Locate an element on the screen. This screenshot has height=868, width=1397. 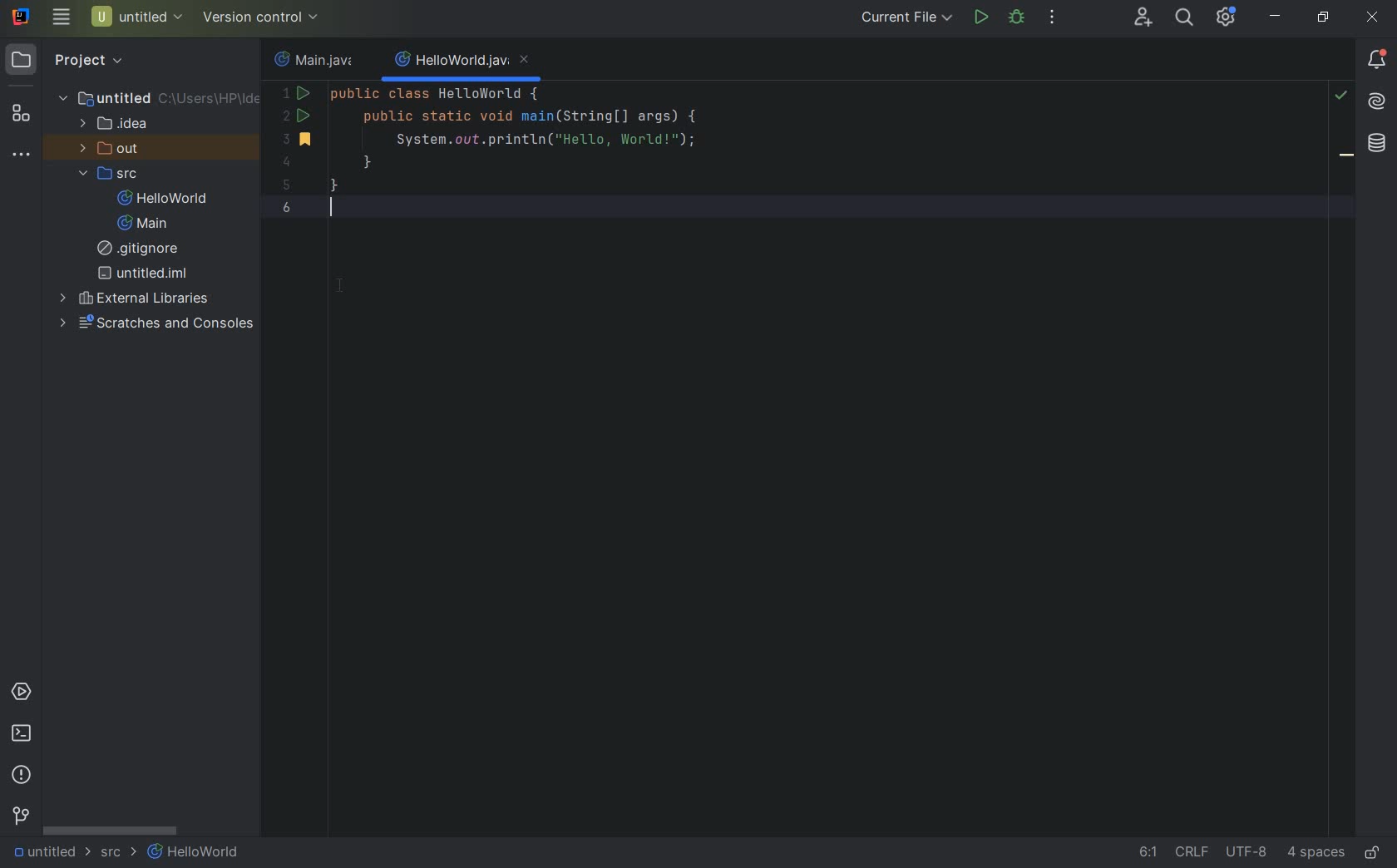
scratches and consoles is located at coordinates (160, 323).